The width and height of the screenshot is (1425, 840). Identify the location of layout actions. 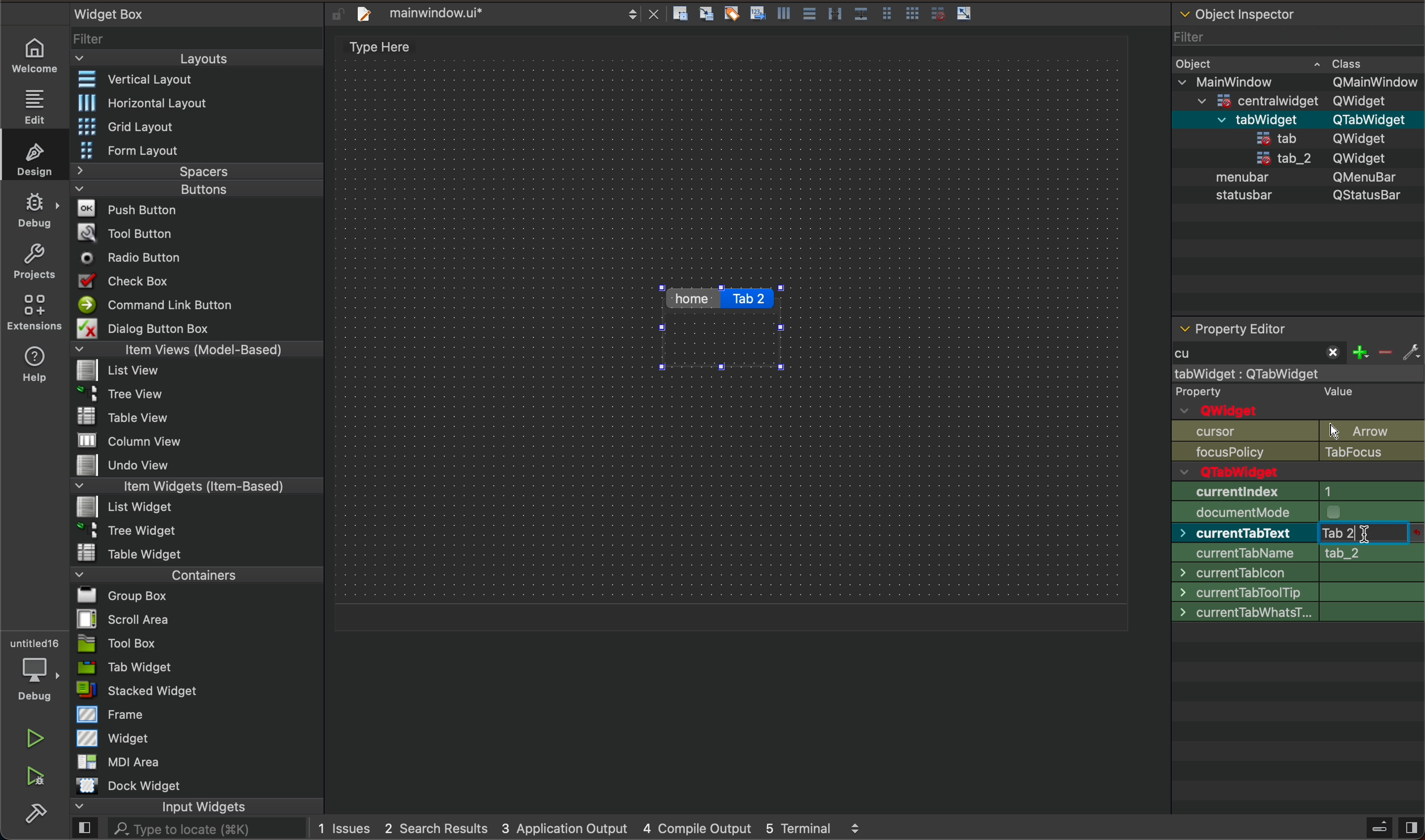
(872, 12).